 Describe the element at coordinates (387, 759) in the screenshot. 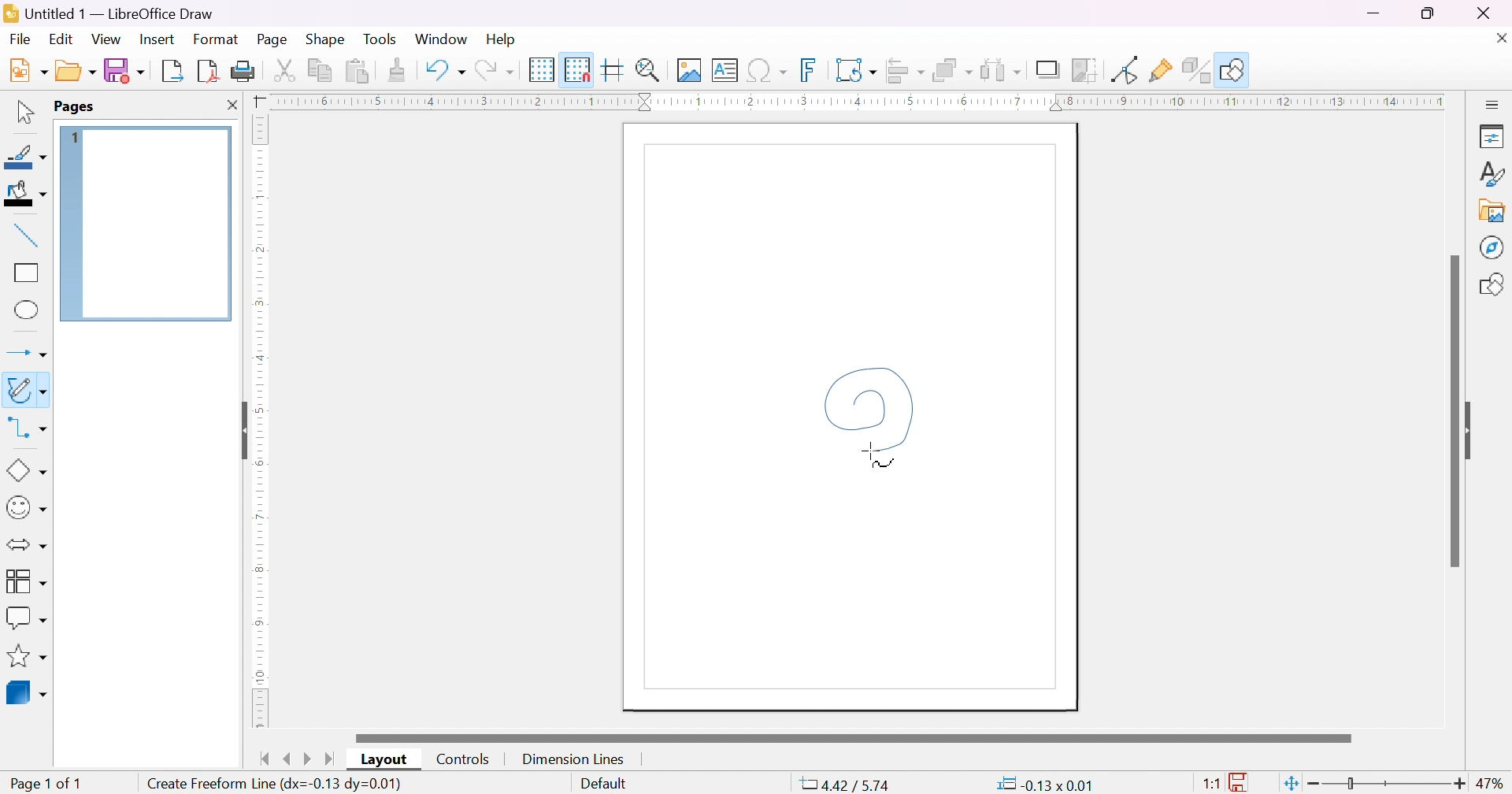

I see `layout` at that location.